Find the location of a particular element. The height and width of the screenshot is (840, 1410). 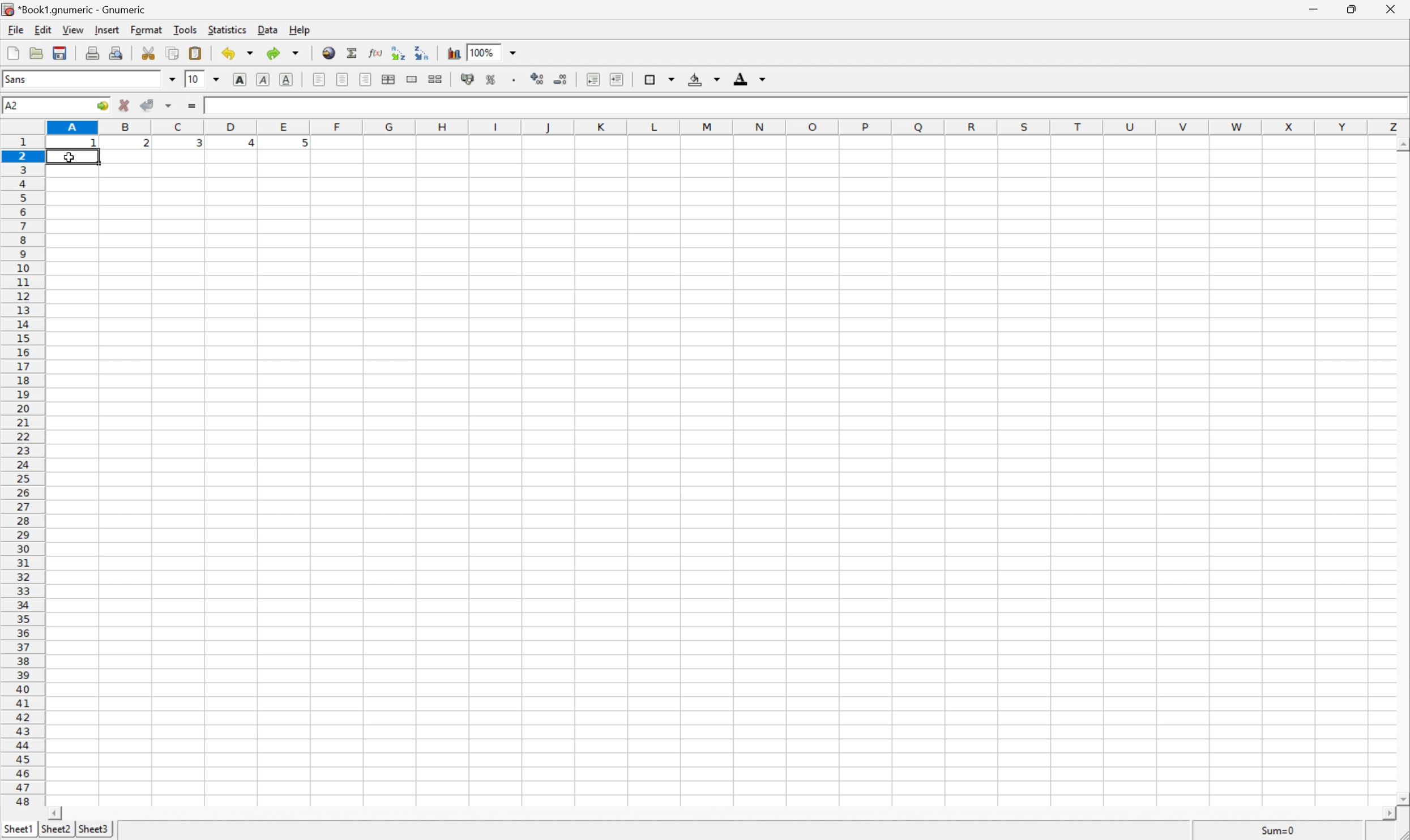

1 is located at coordinates (95, 143).